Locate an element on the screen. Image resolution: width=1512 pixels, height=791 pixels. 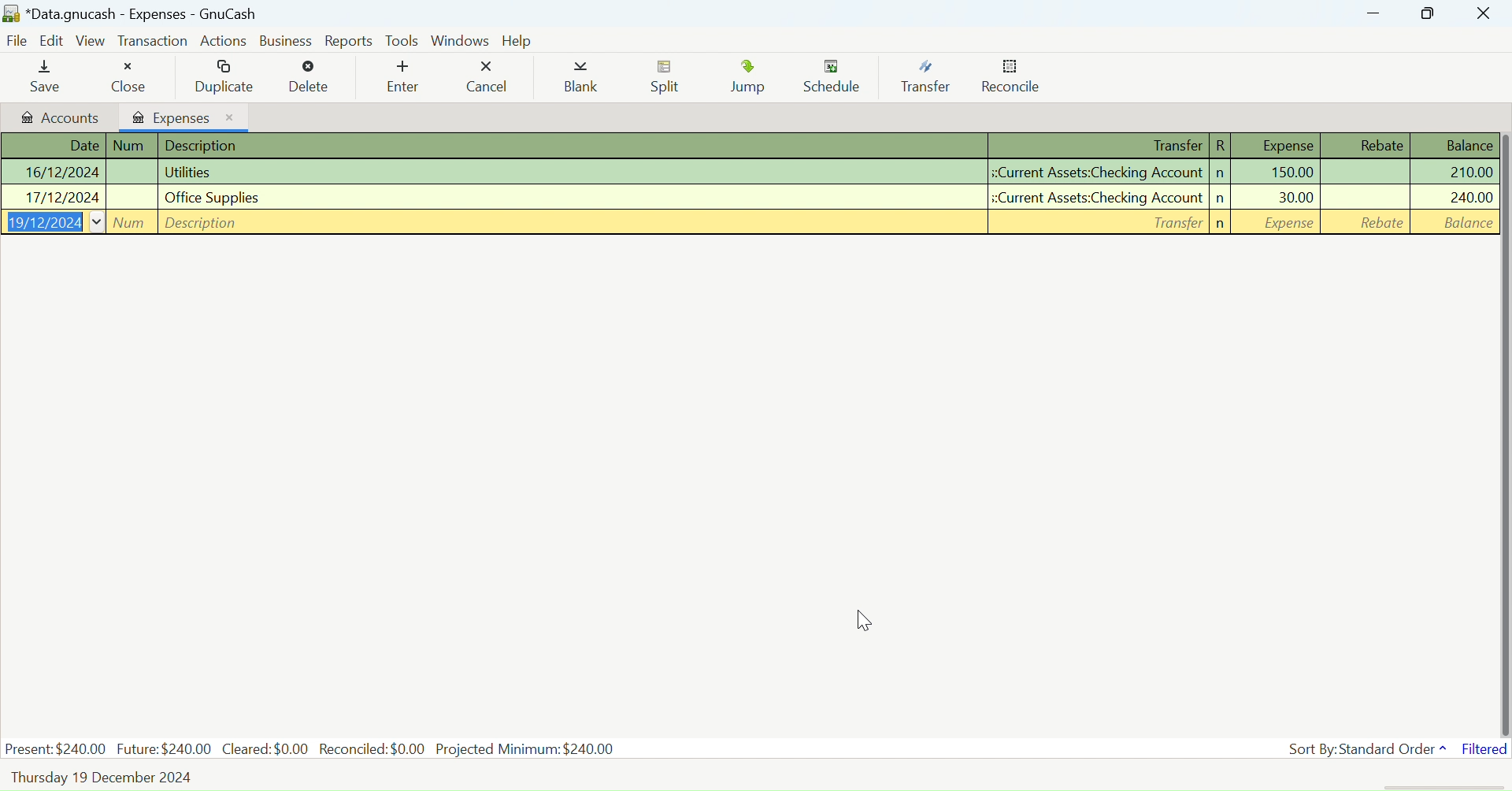
Sort By: Standard Order is located at coordinates (1366, 750).